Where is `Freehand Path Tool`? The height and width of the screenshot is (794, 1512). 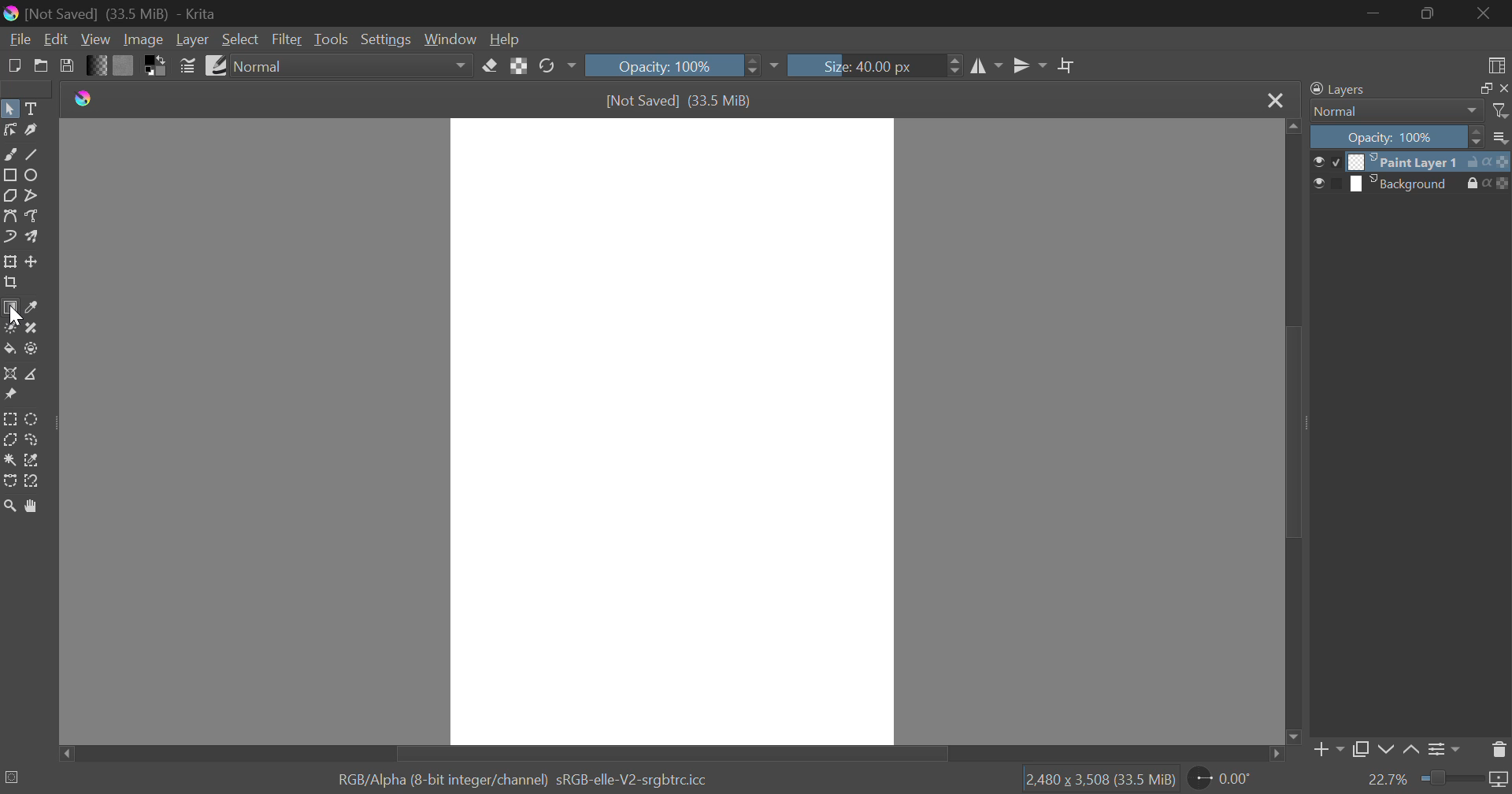
Freehand Path Tool is located at coordinates (35, 217).